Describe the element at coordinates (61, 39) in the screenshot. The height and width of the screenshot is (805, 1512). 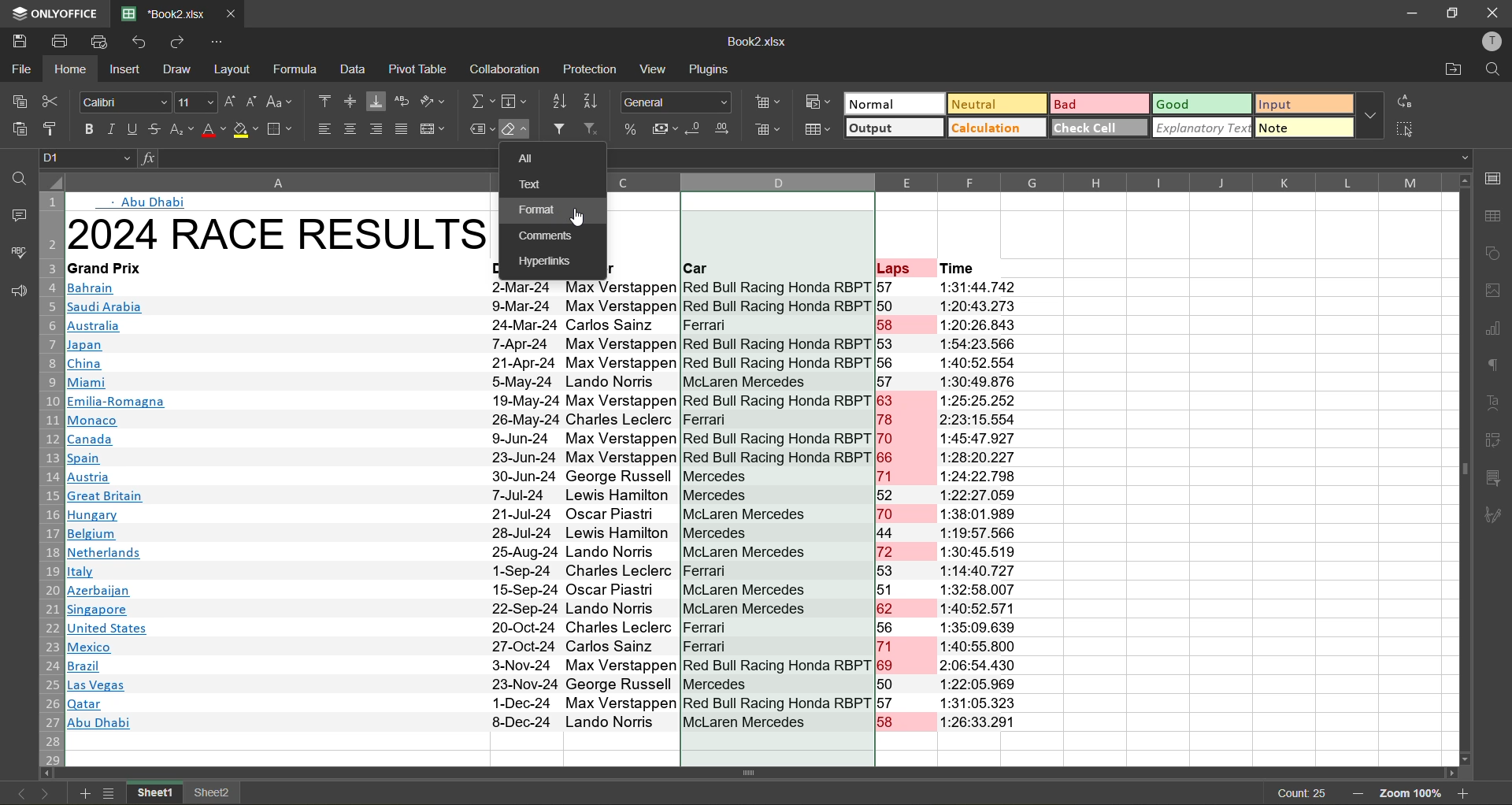
I see `print` at that location.